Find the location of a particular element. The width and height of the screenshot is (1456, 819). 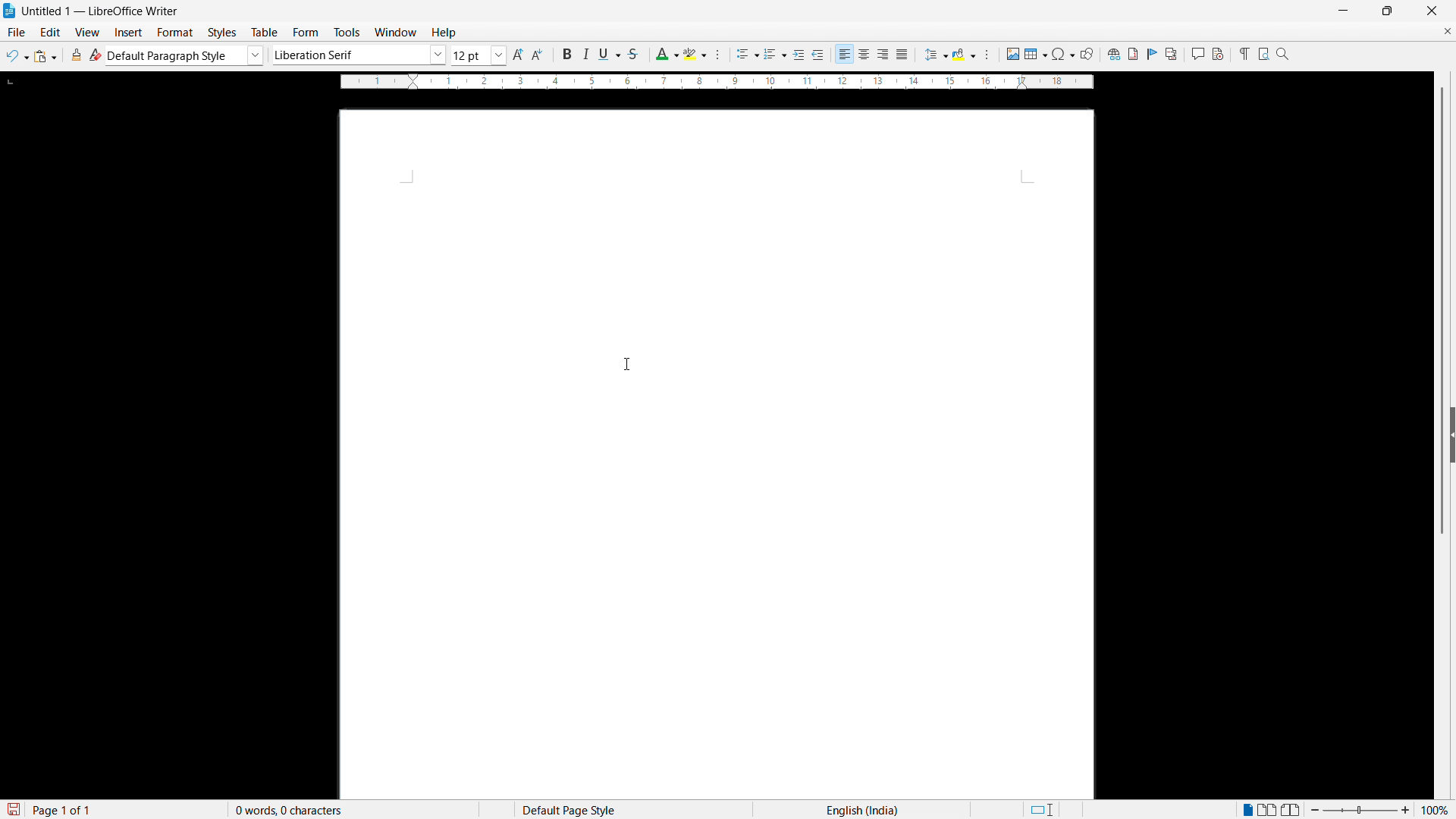

Zoom  is located at coordinates (1283, 53).